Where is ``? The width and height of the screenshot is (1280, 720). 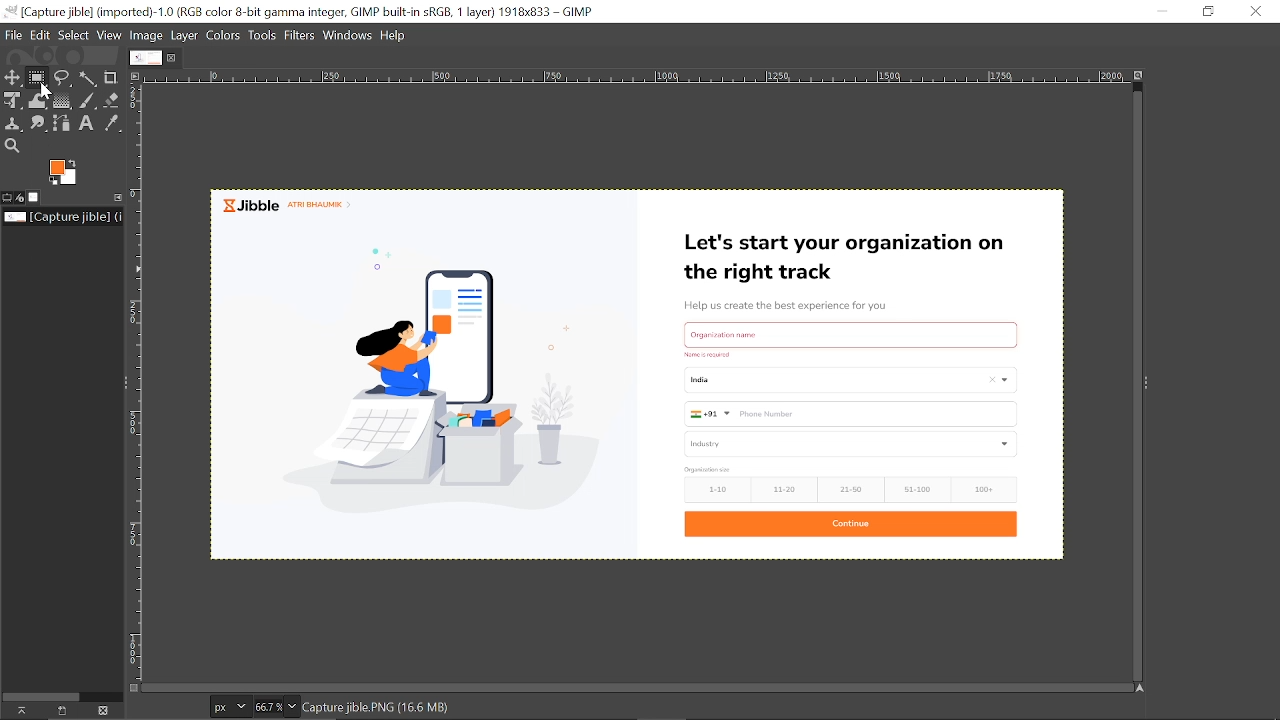
 is located at coordinates (112, 35).